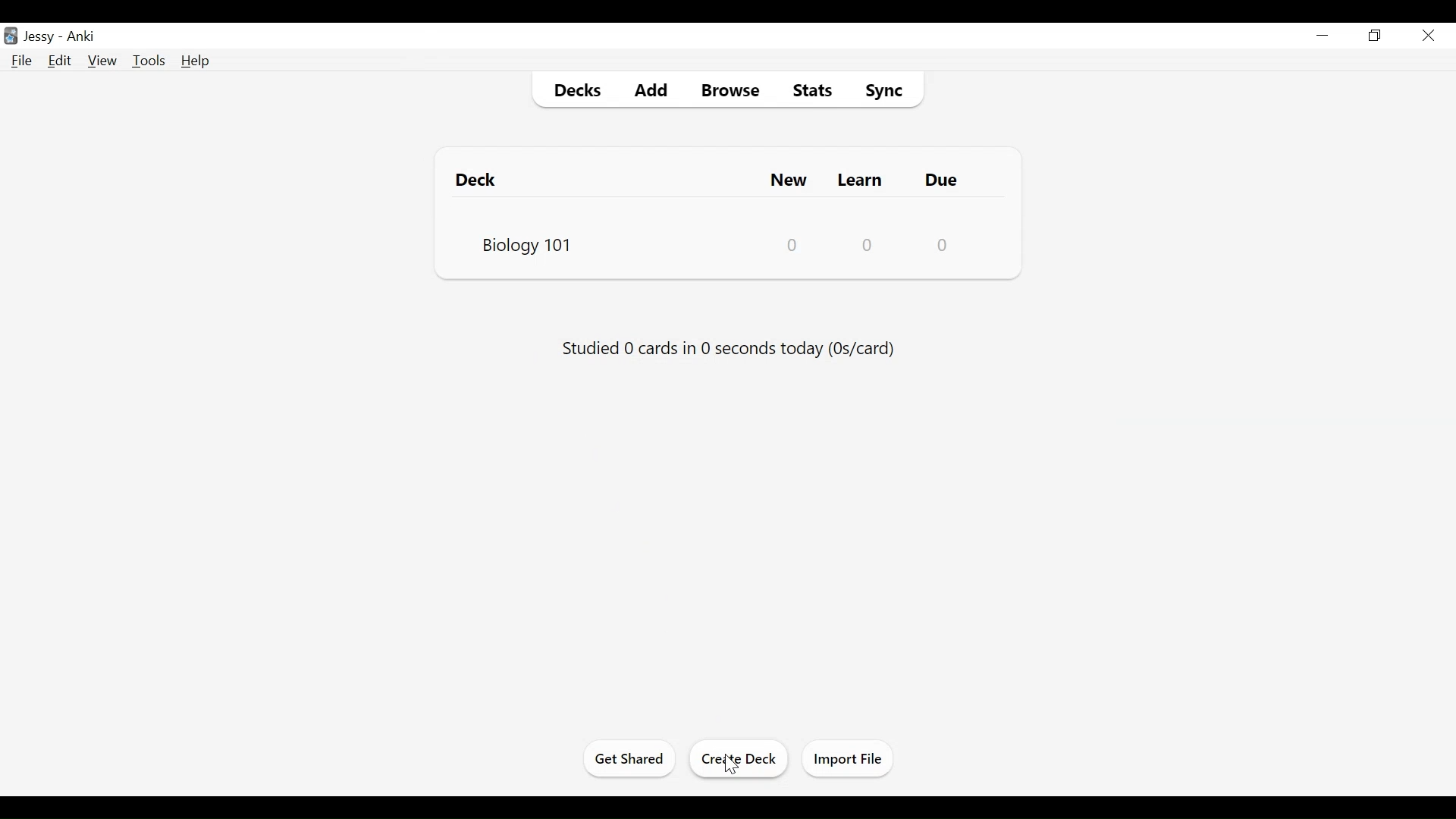 This screenshot has height=819, width=1456. Describe the element at coordinates (12, 36) in the screenshot. I see `Anki Desktop icon` at that location.